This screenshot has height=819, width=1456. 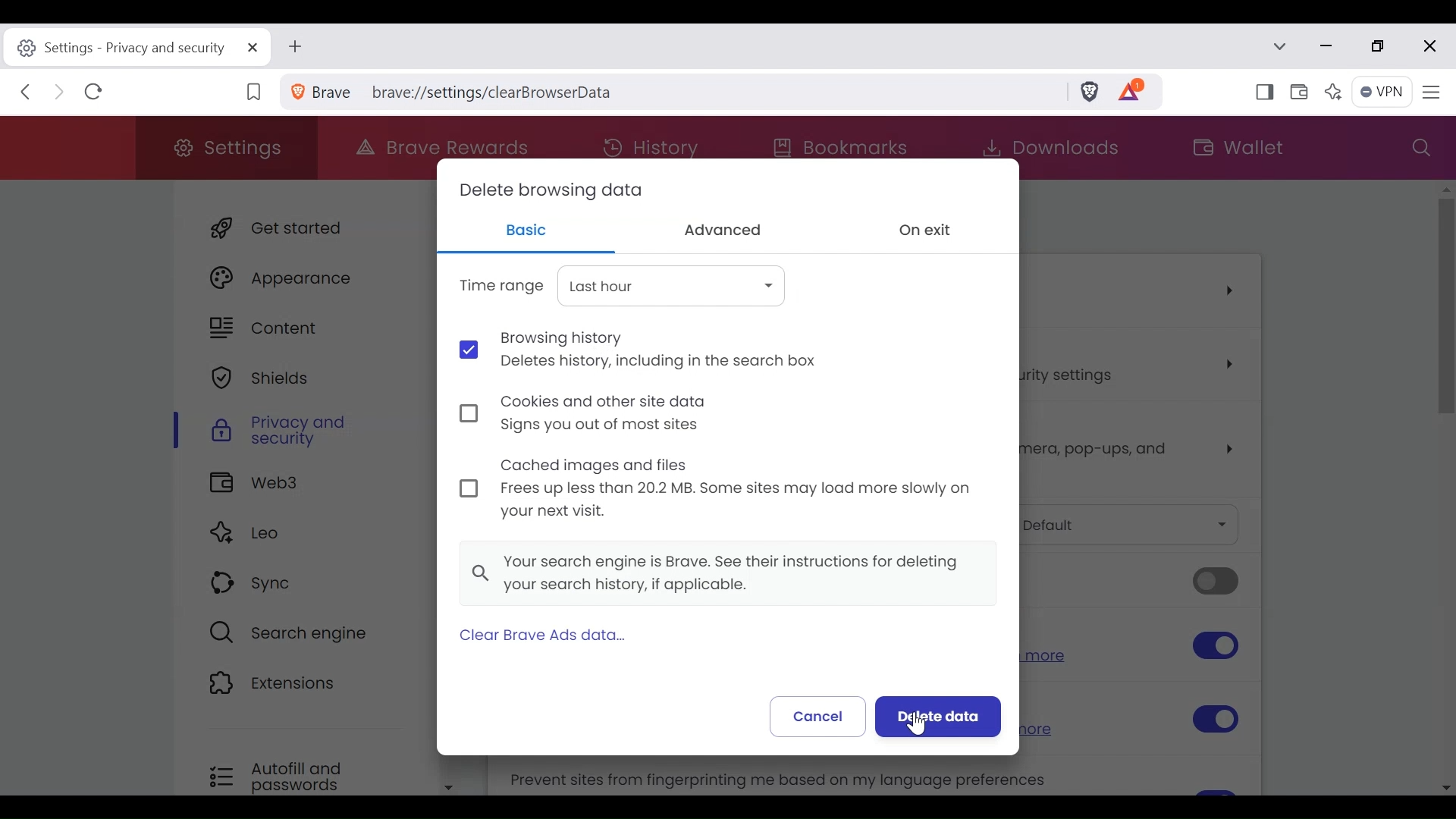 What do you see at coordinates (307, 231) in the screenshot?
I see `Get Starte` at bounding box center [307, 231].